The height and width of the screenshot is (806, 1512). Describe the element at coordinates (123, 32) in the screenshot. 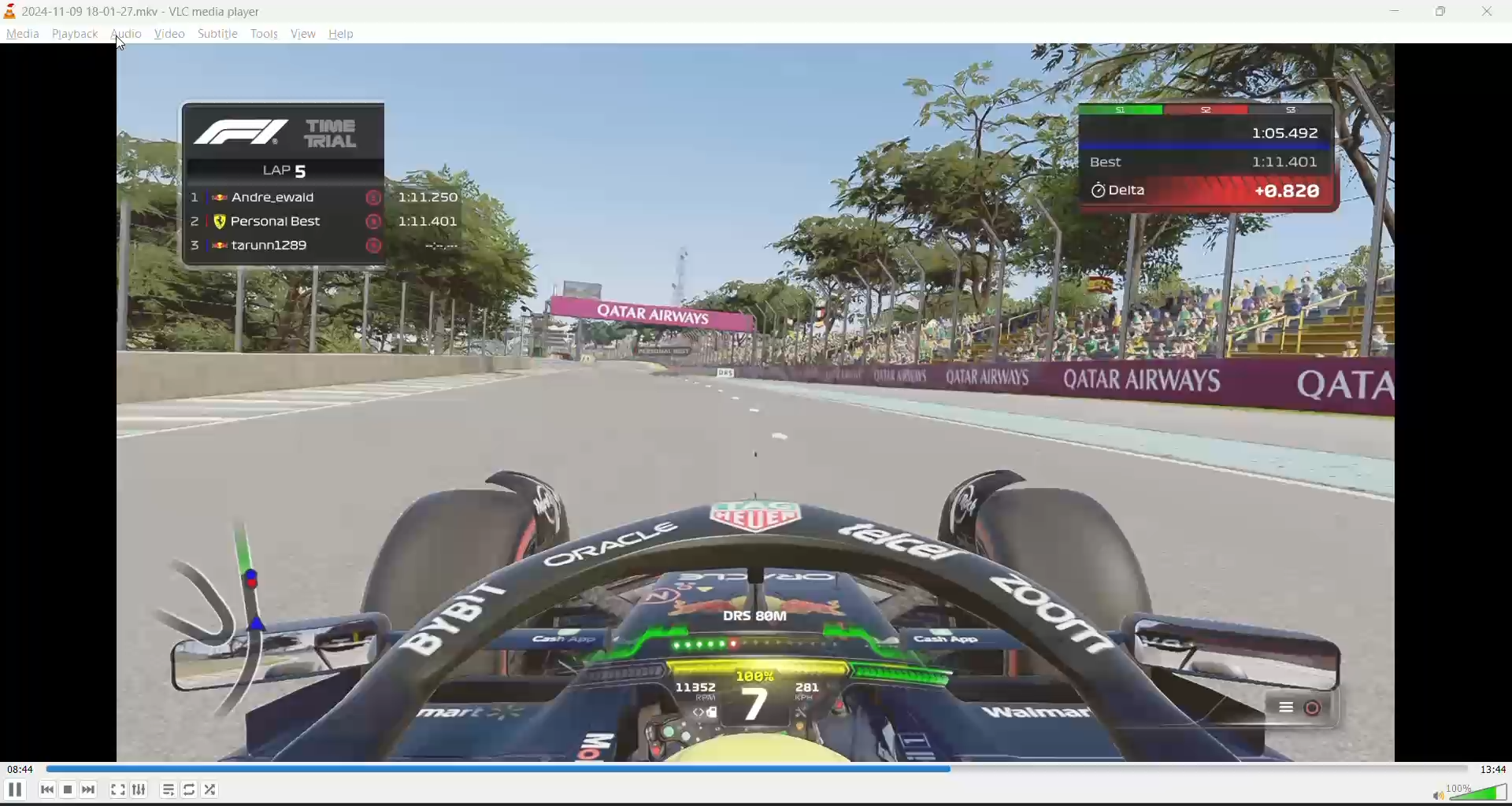

I see `audio` at that location.